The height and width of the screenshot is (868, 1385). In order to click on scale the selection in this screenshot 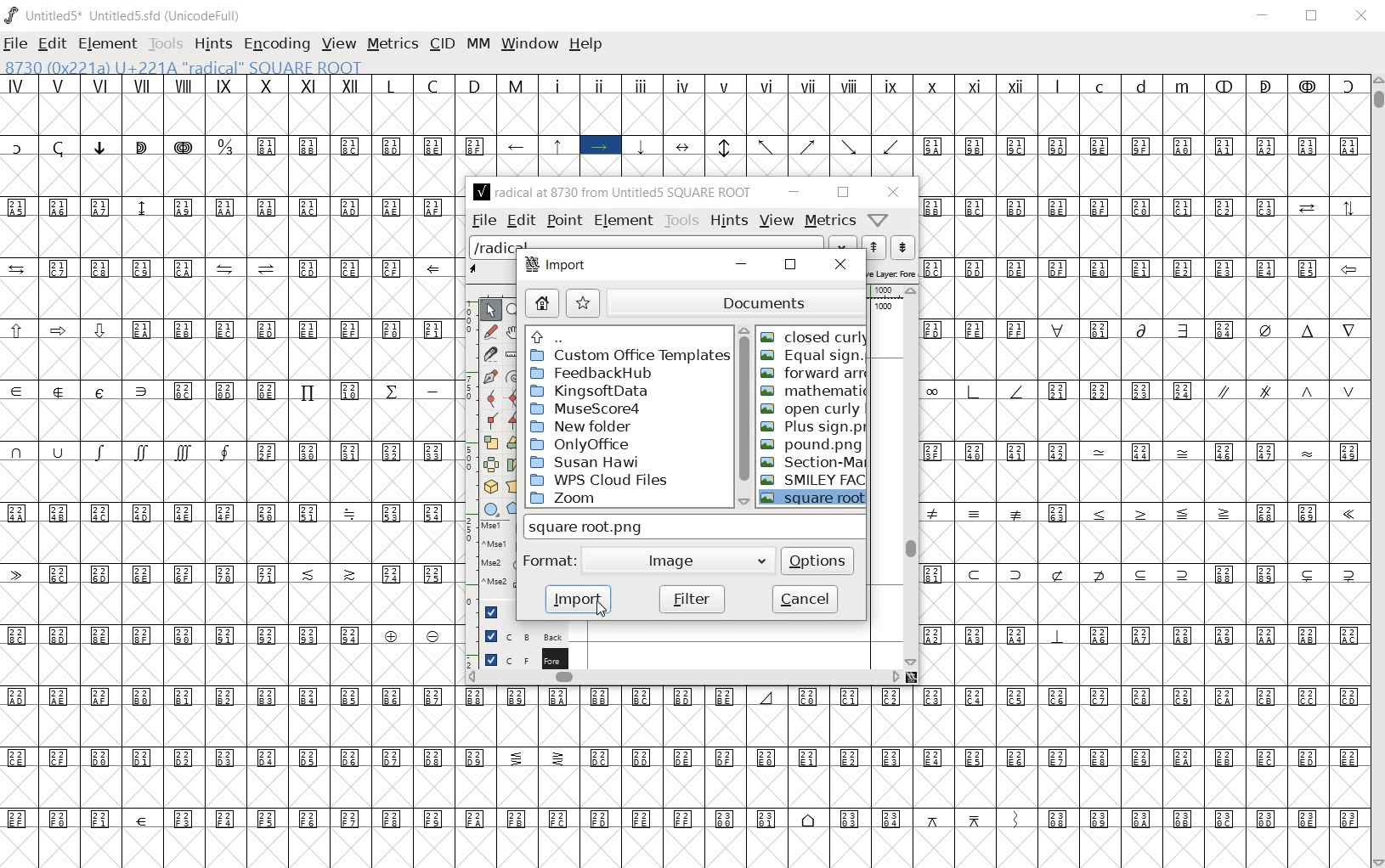, I will do `click(489, 442)`.